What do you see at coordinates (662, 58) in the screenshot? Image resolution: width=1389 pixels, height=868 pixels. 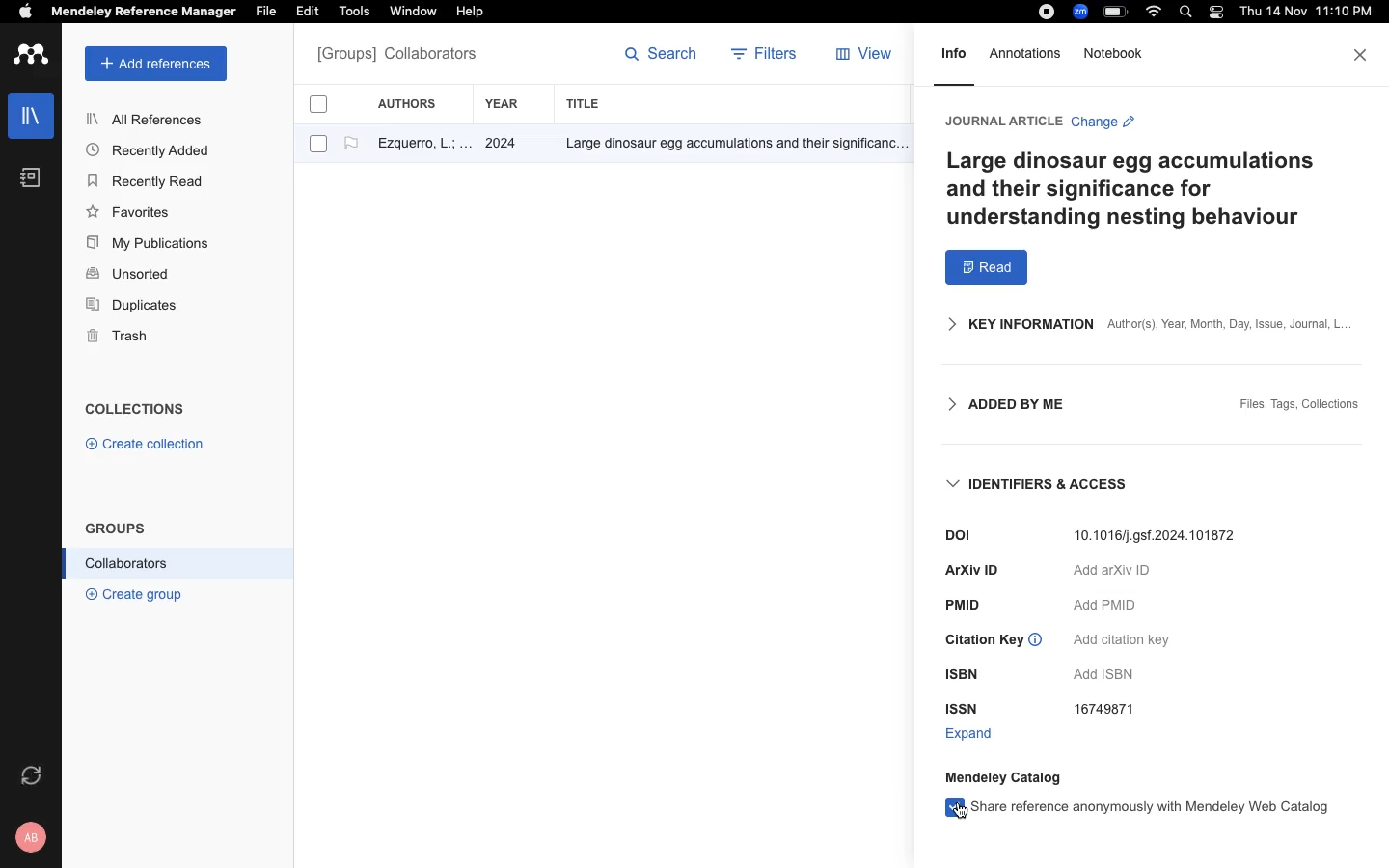 I see `search` at bounding box center [662, 58].